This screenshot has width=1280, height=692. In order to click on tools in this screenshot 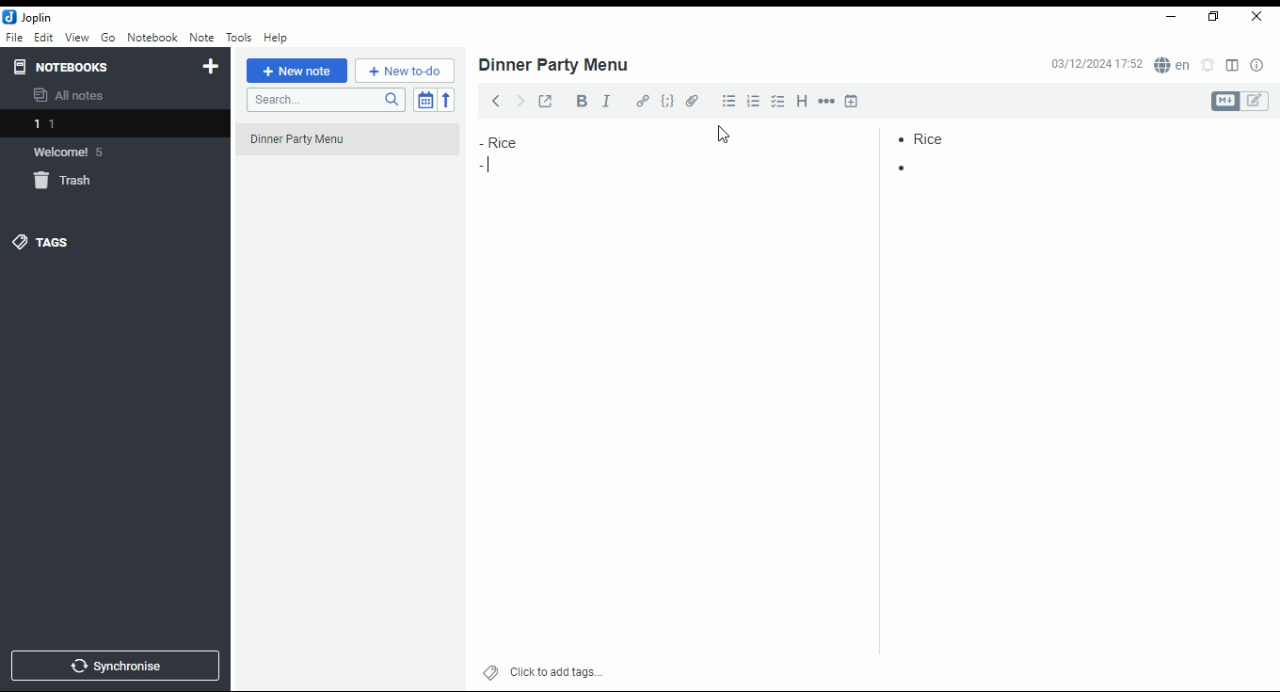, I will do `click(238, 36)`.